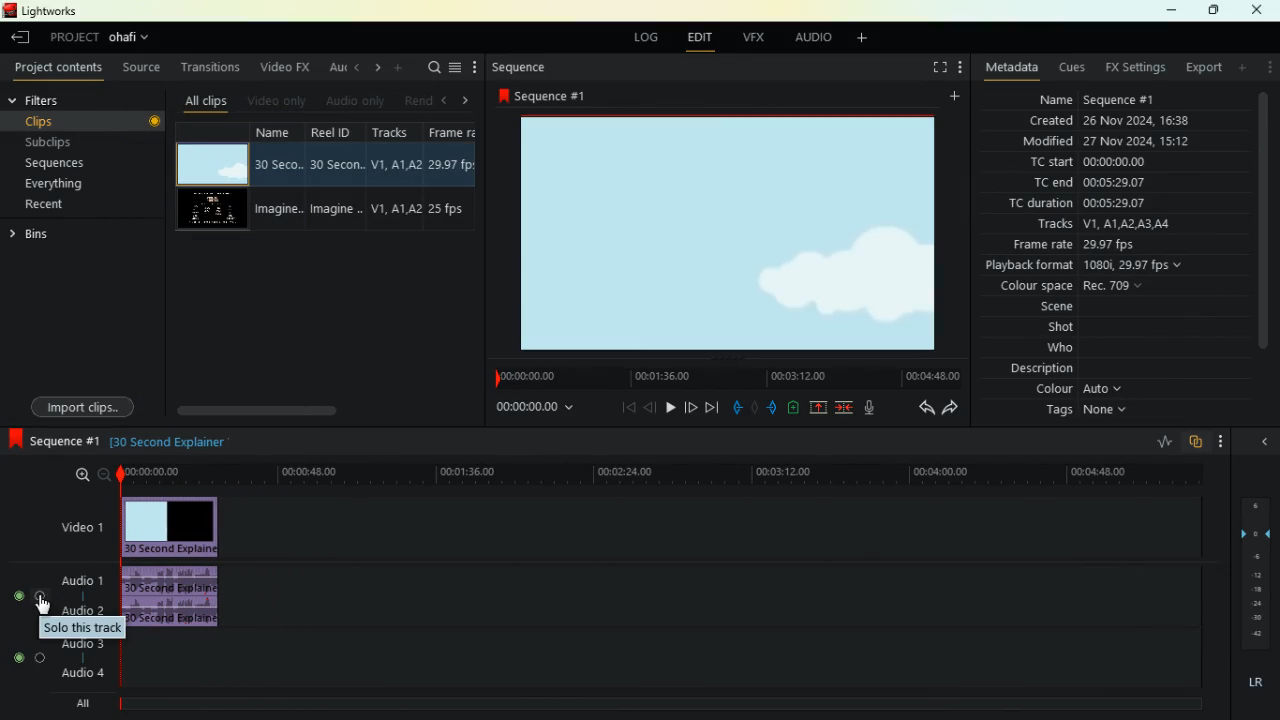  What do you see at coordinates (432, 68) in the screenshot?
I see `search` at bounding box center [432, 68].